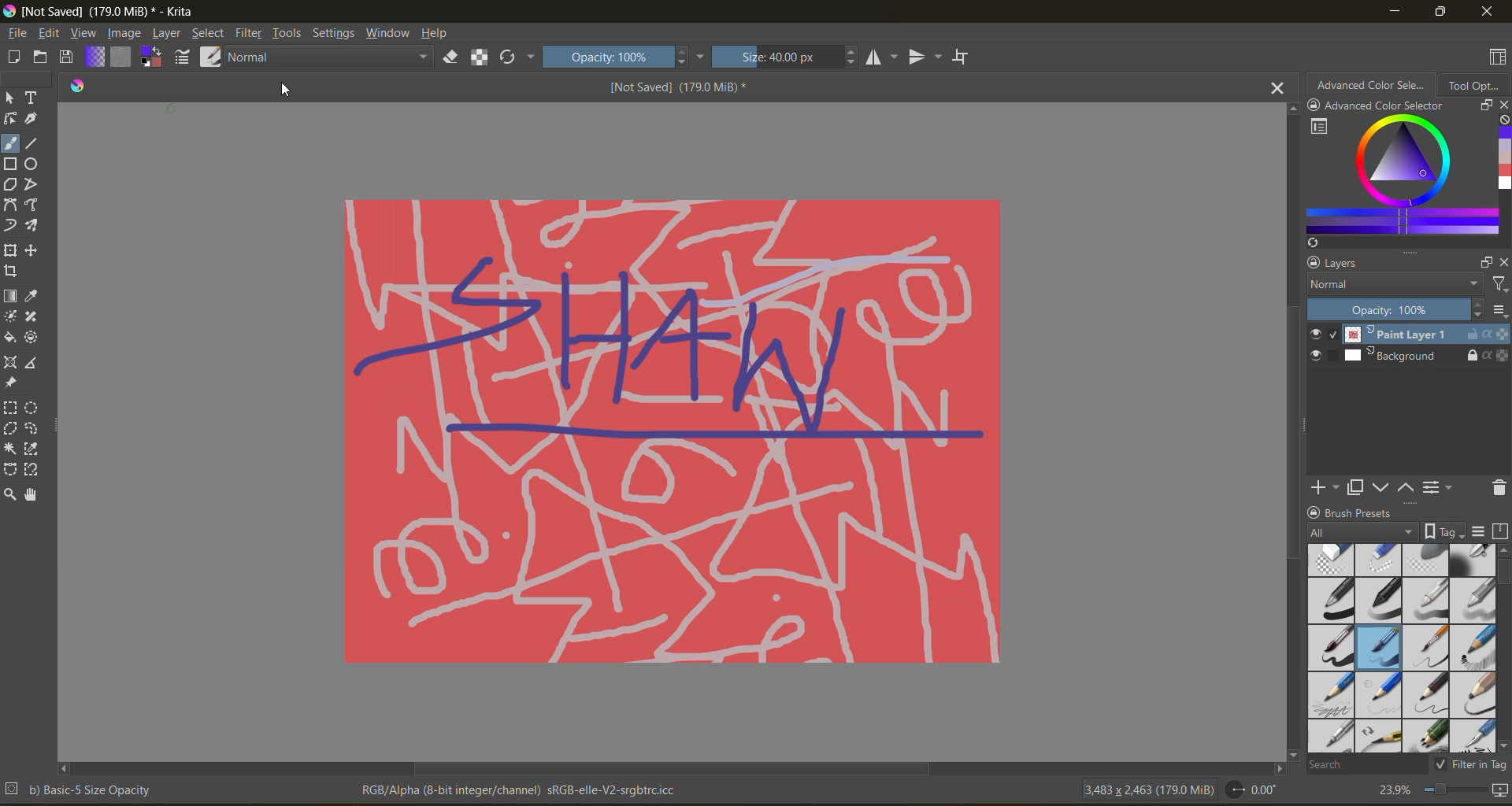 Image resolution: width=1512 pixels, height=806 pixels. What do you see at coordinates (1407, 486) in the screenshot?
I see `mask up` at bounding box center [1407, 486].